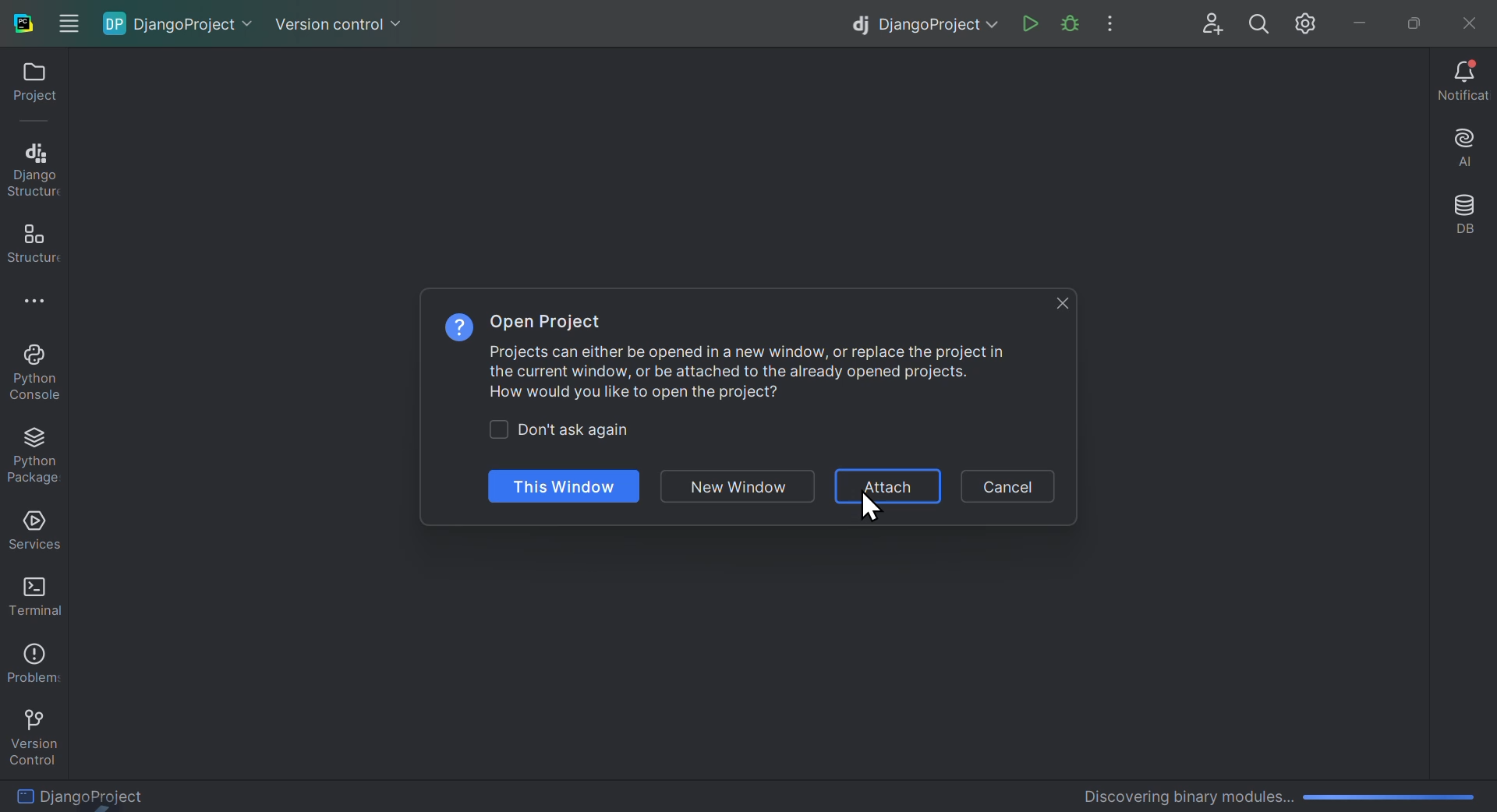 This screenshot has height=812, width=1497. Describe the element at coordinates (33, 733) in the screenshot. I see `version control` at that location.